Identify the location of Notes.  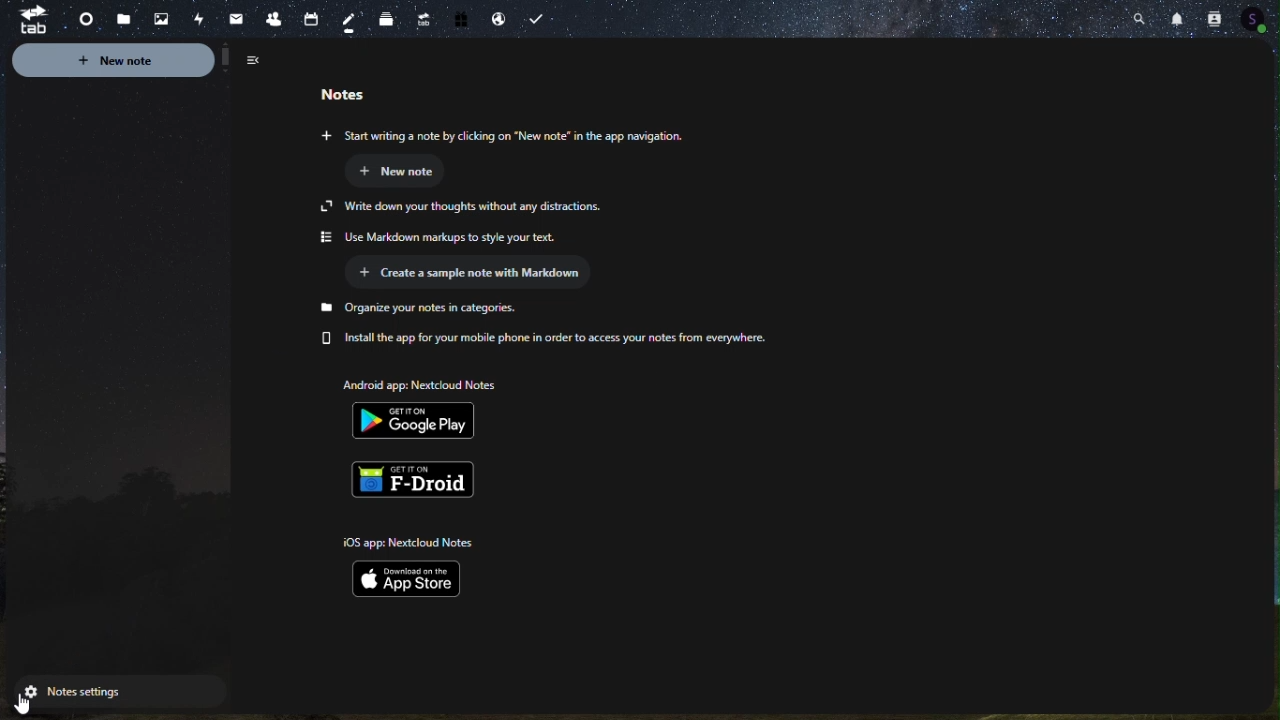
(346, 19).